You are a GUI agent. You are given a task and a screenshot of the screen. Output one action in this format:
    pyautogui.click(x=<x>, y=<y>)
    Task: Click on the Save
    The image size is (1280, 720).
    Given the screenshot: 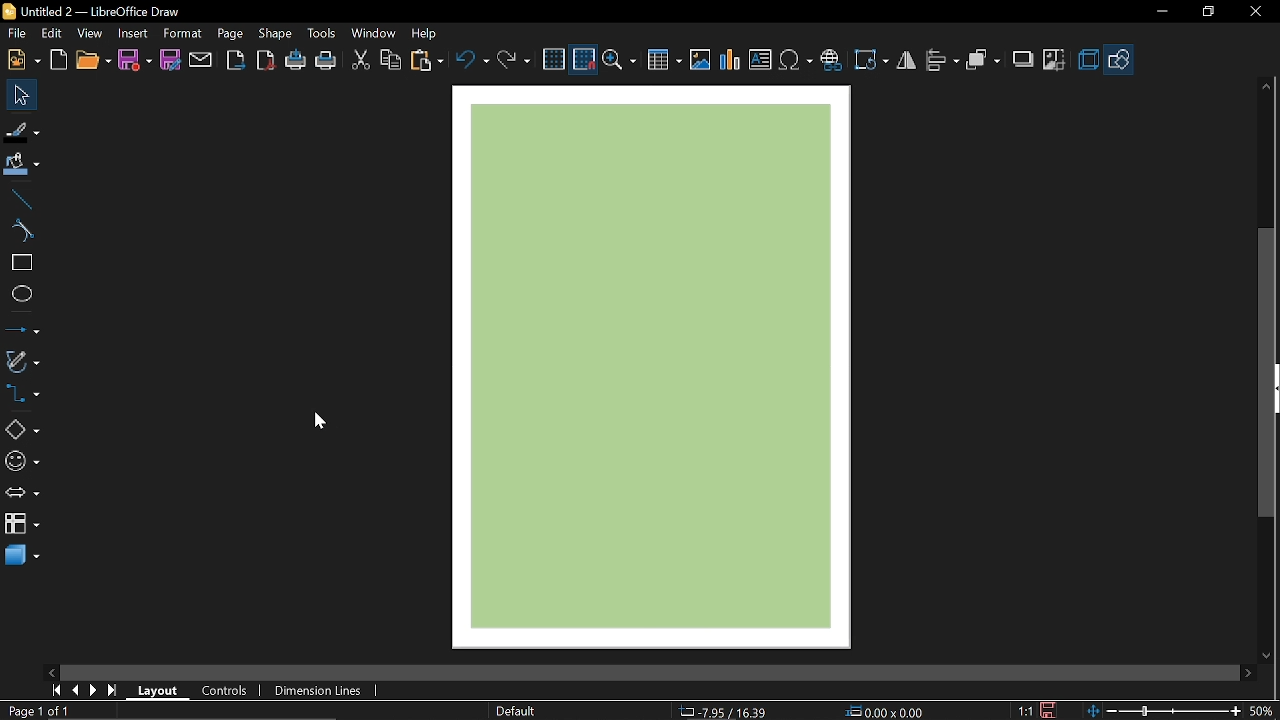 What is the action you would take?
    pyautogui.click(x=134, y=61)
    